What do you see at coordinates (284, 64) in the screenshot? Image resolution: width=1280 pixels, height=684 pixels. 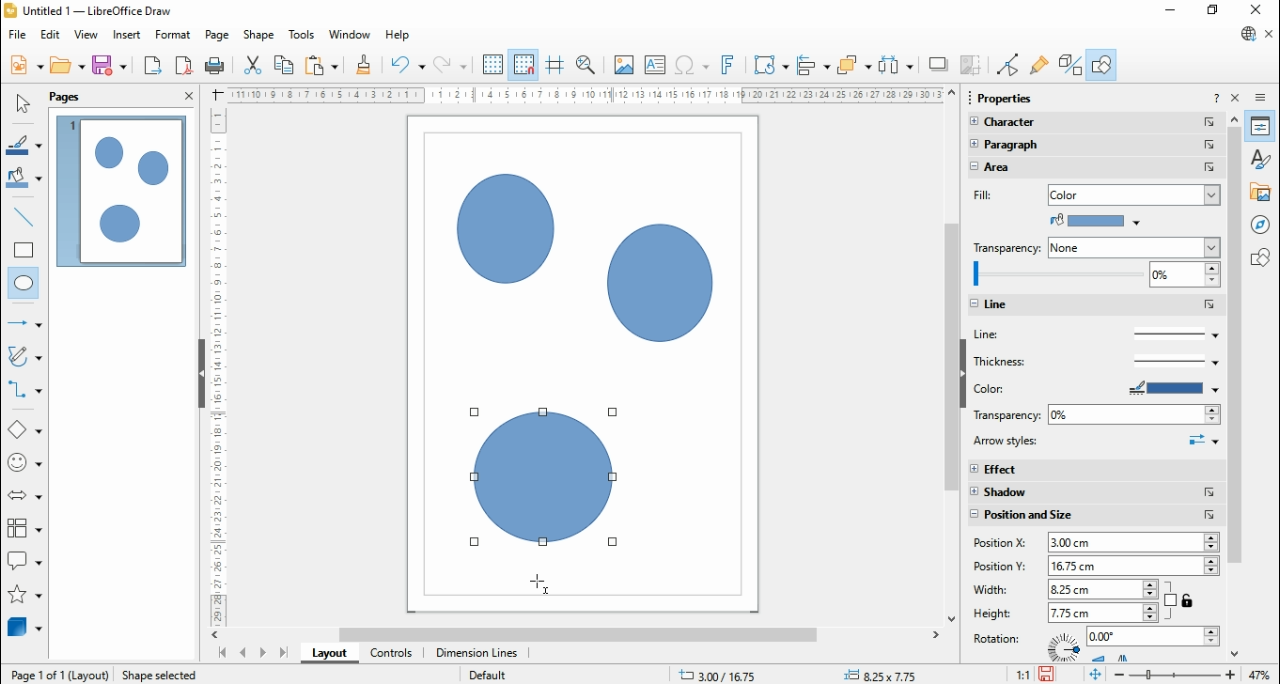 I see `copy` at bounding box center [284, 64].